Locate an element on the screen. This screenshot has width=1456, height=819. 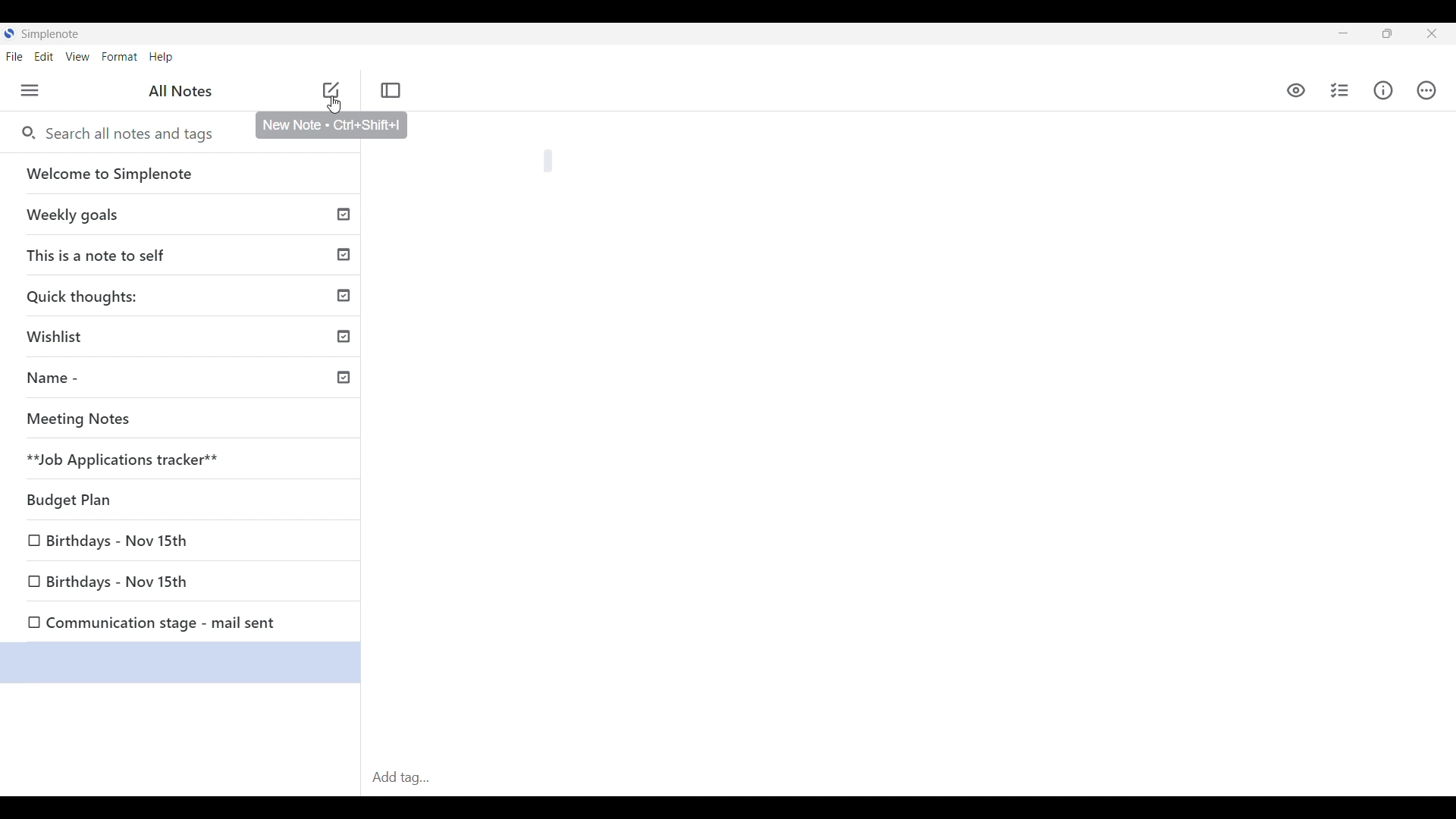
Communication stage - mail sent is located at coordinates (183, 623).